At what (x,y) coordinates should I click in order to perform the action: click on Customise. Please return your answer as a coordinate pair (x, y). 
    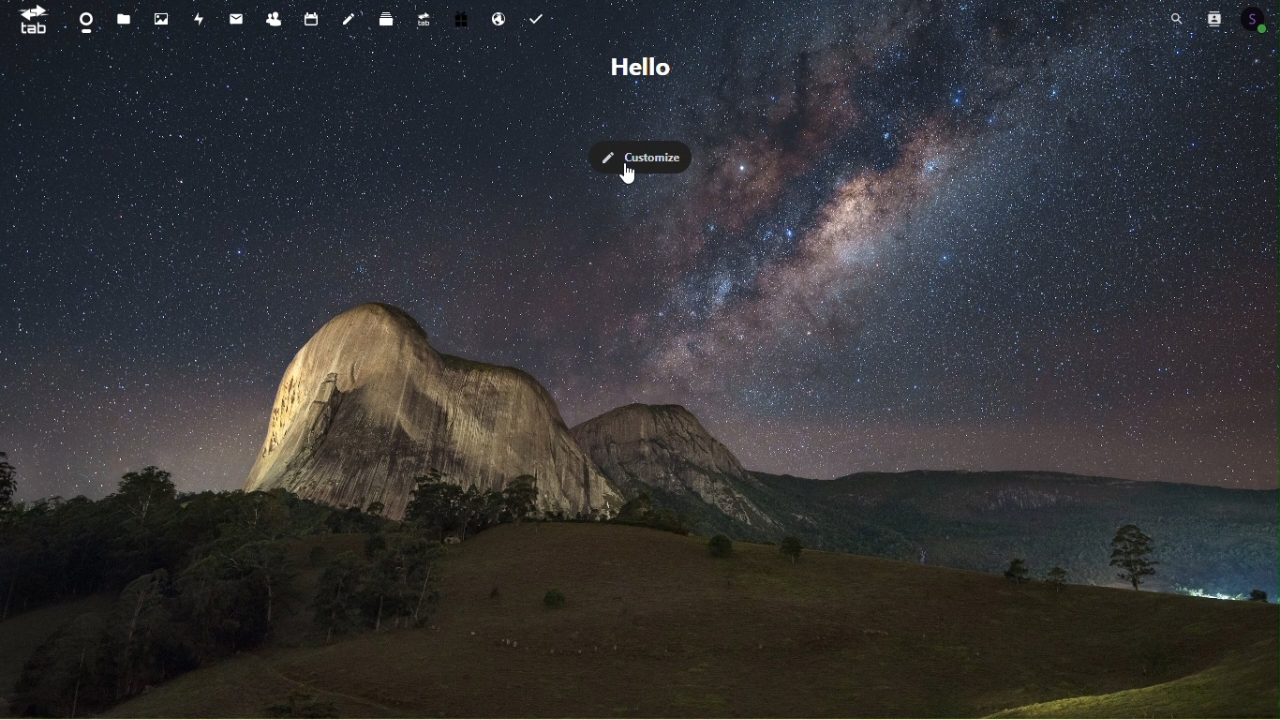
    Looking at the image, I should click on (642, 158).